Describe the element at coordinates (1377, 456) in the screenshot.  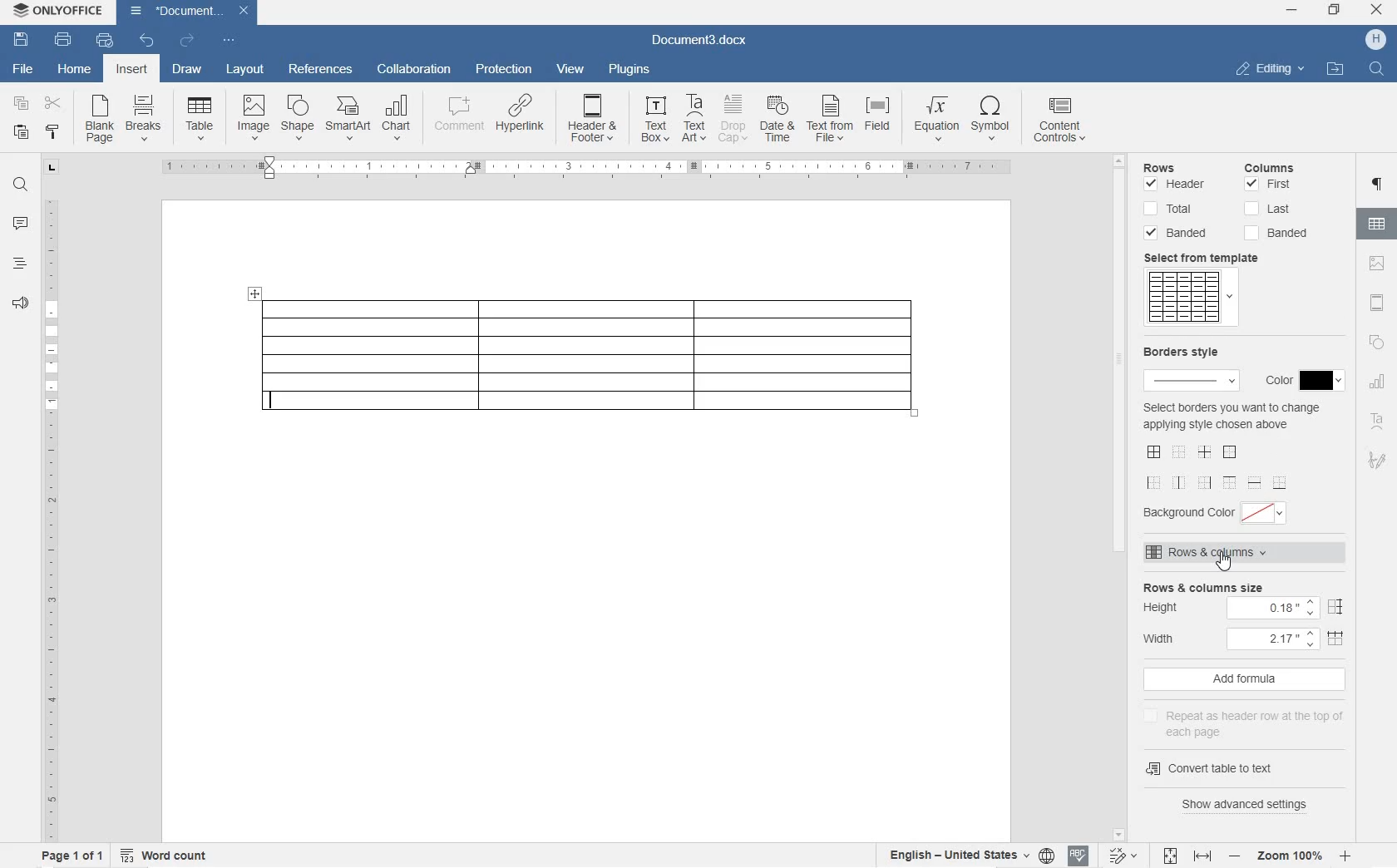
I see `SIGNATURE` at that location.